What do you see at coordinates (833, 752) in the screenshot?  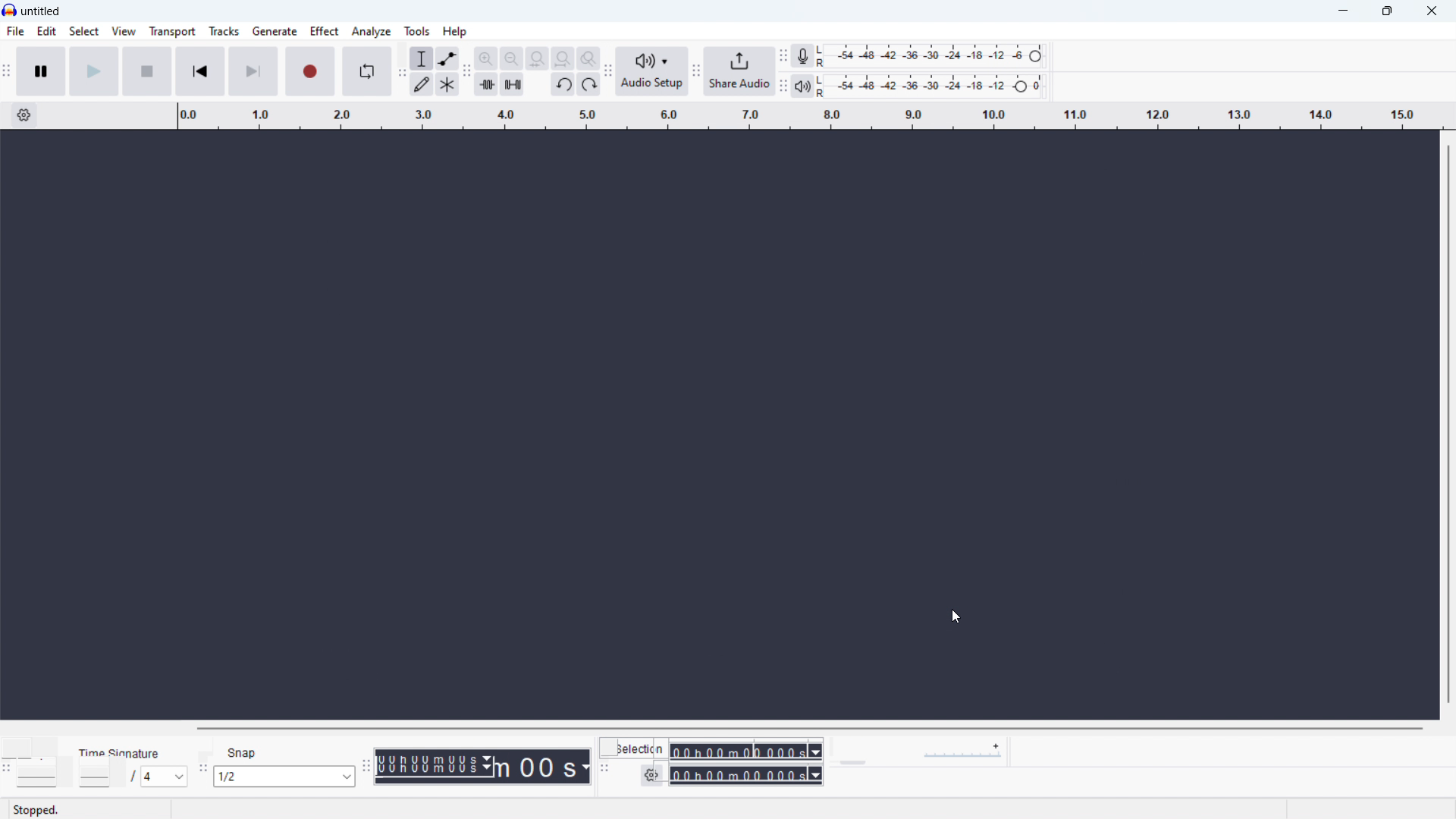 I see `play at speed toolbar` at bounding box center [833, 752].